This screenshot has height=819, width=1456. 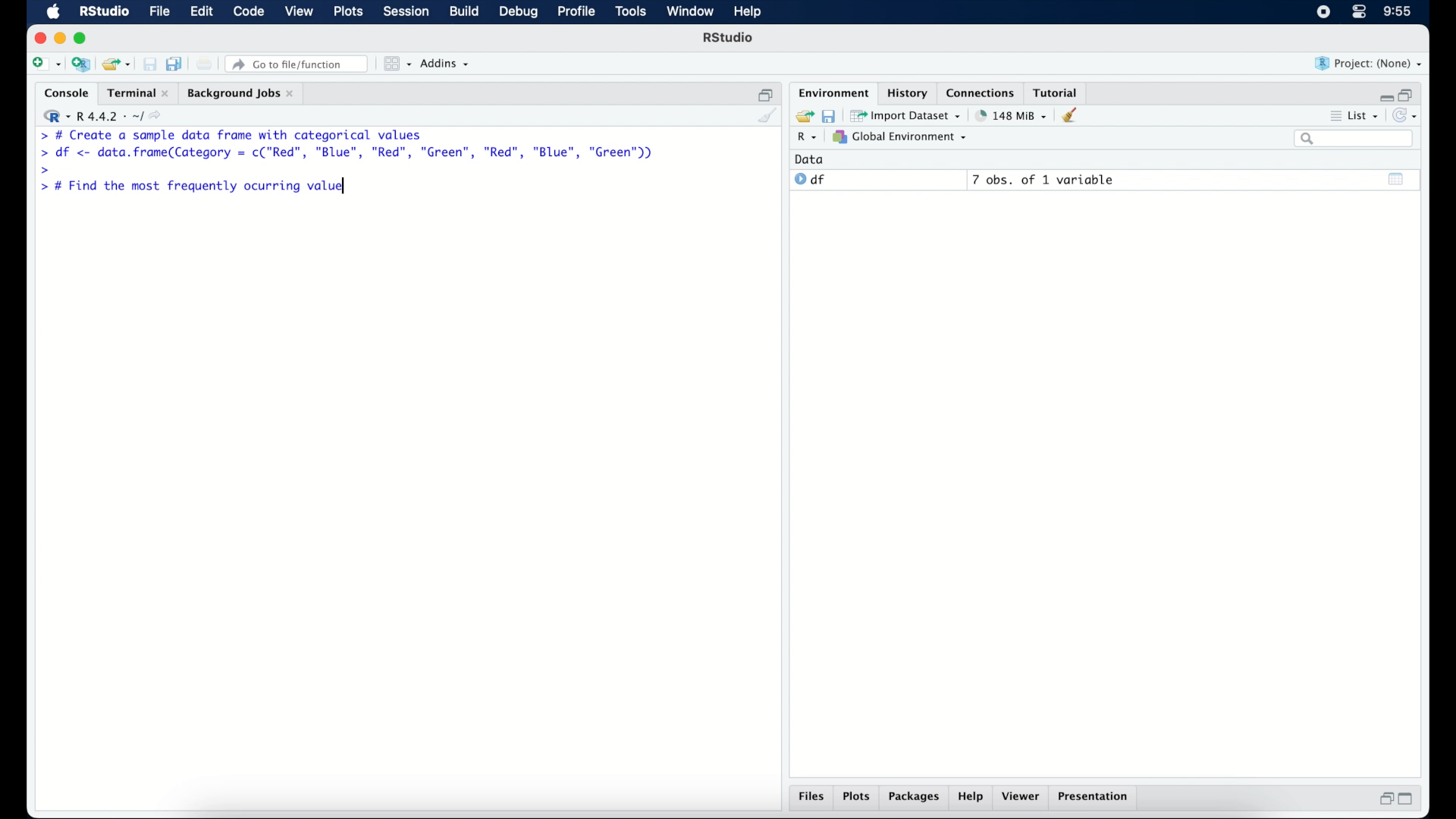 What do you see at coordinates (45, 169) in the screenshot?
I see `command prompt` at bounding box center [45, 169].